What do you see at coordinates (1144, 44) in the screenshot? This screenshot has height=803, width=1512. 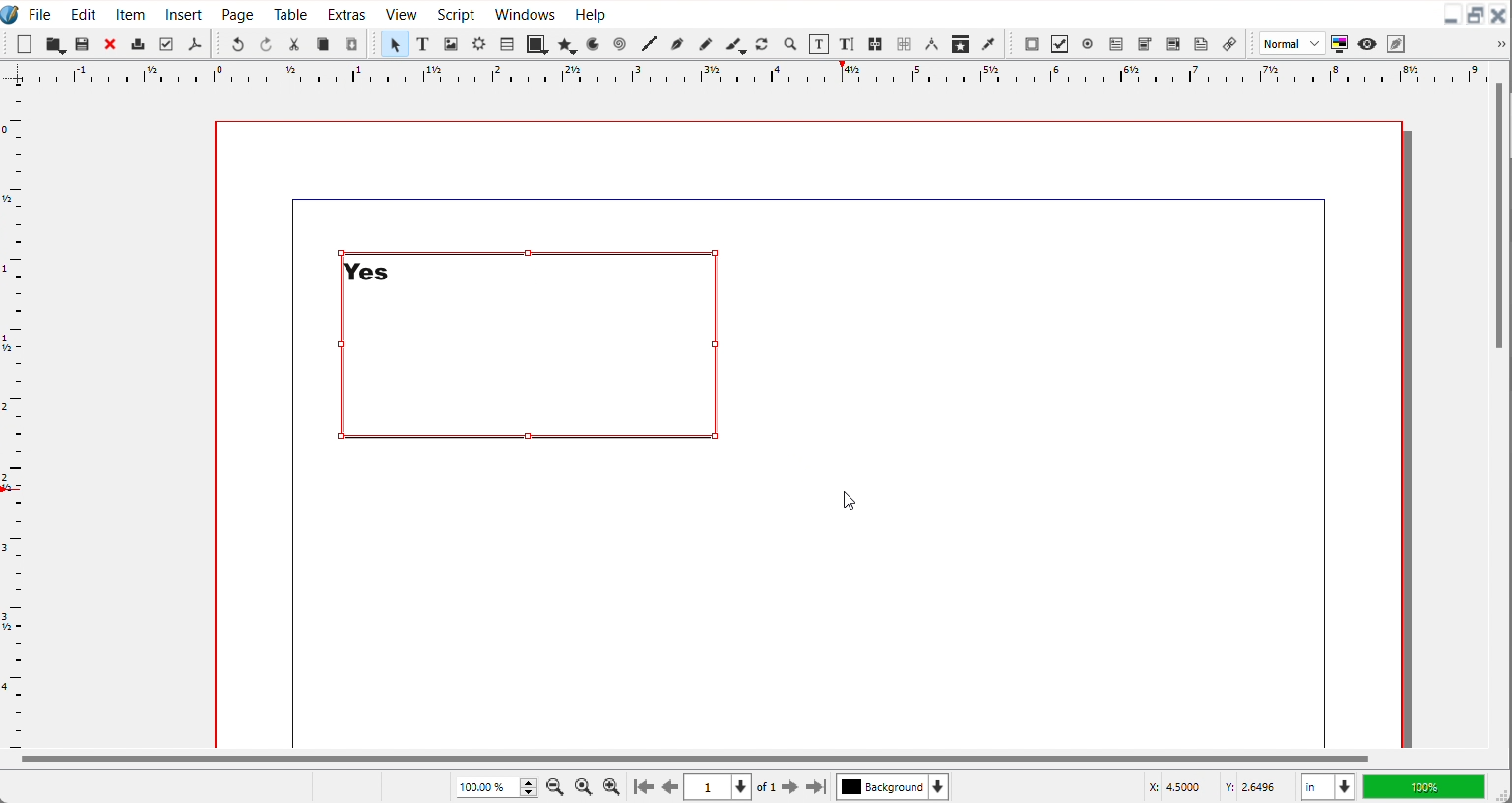 I see `PDF Combo button` at bounding box center [1144, 44].